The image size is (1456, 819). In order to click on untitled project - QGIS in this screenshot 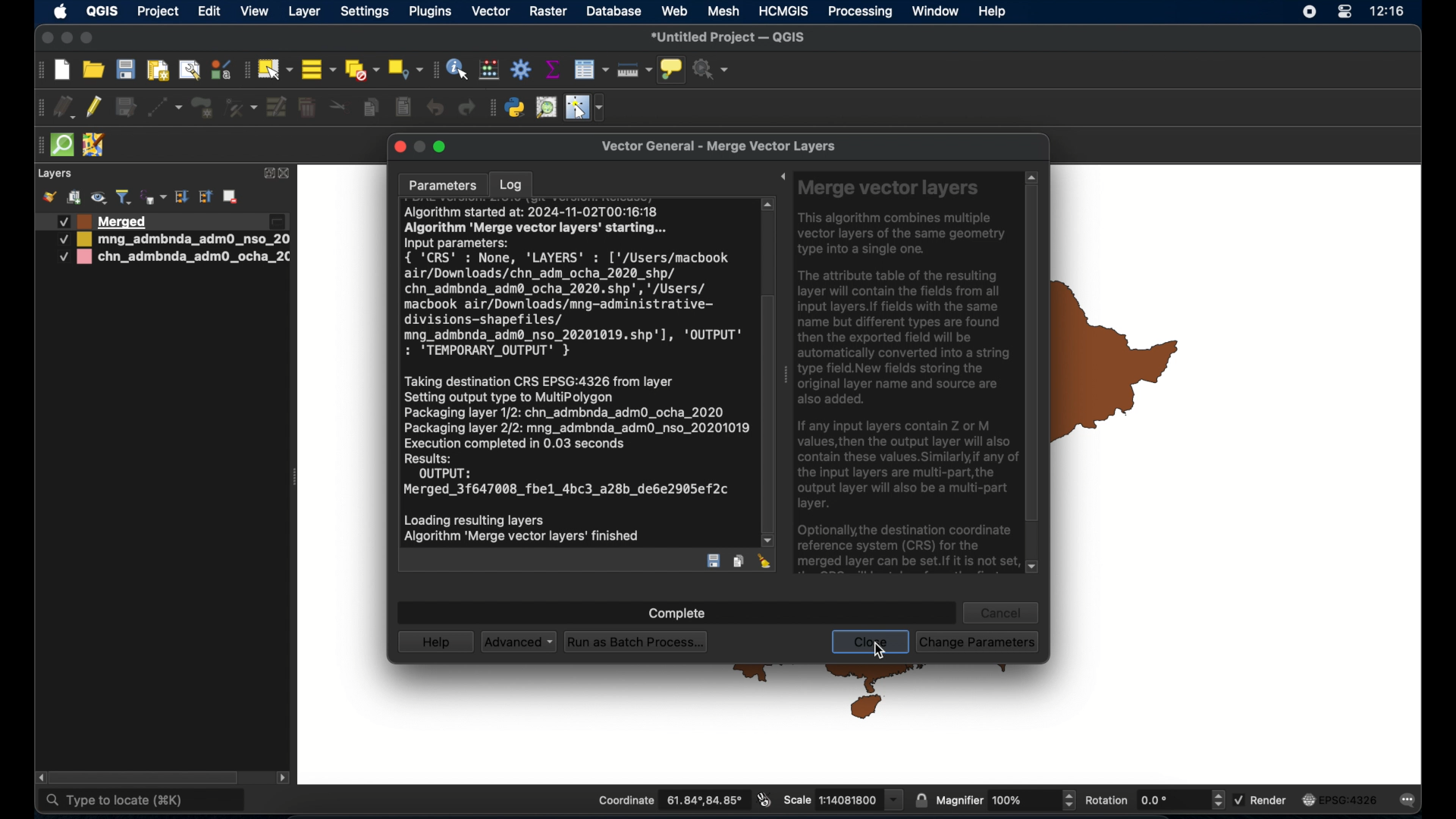, I will do `click(730, 38)`.